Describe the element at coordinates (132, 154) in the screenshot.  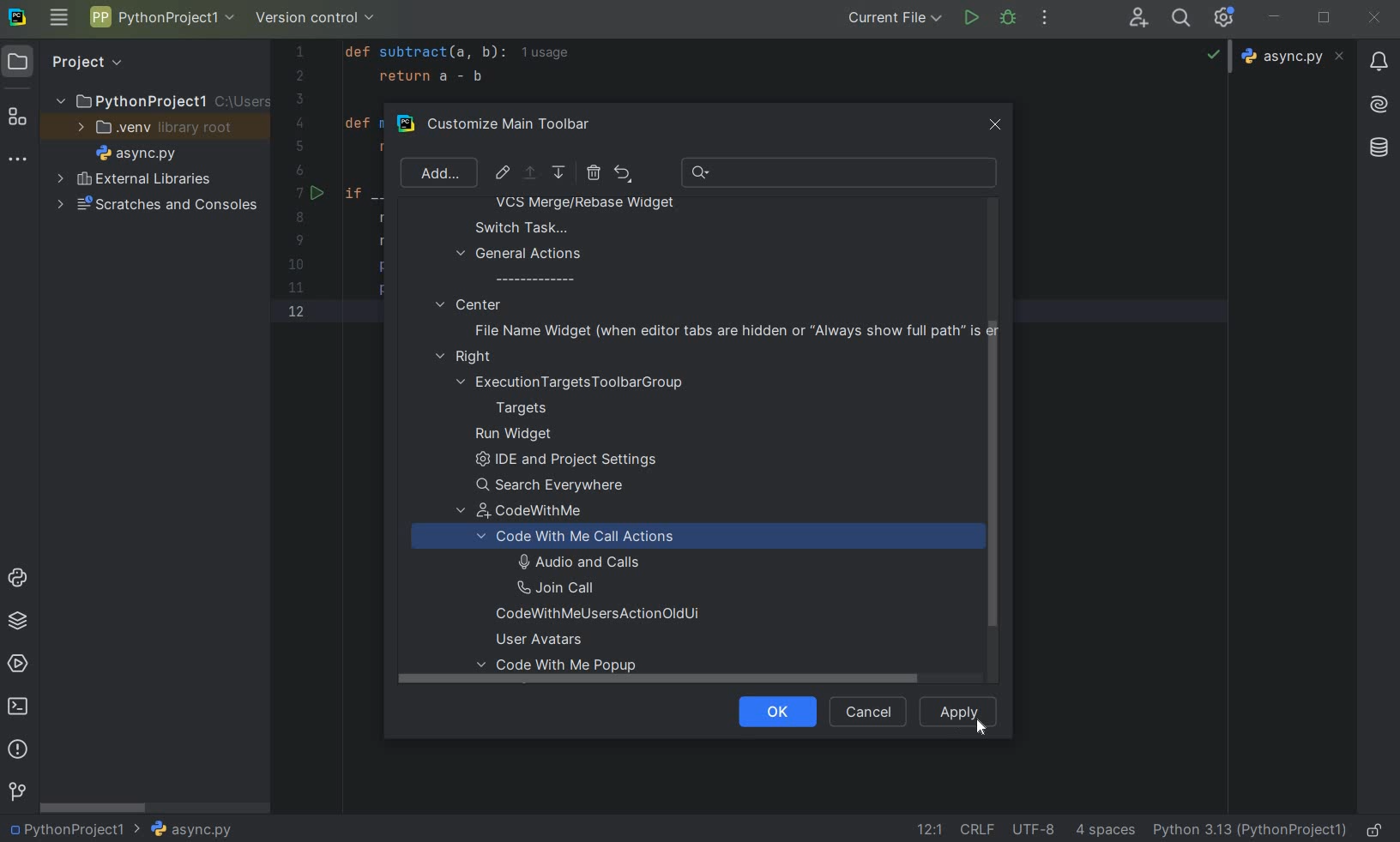
I see `FILE NAME` at that location.